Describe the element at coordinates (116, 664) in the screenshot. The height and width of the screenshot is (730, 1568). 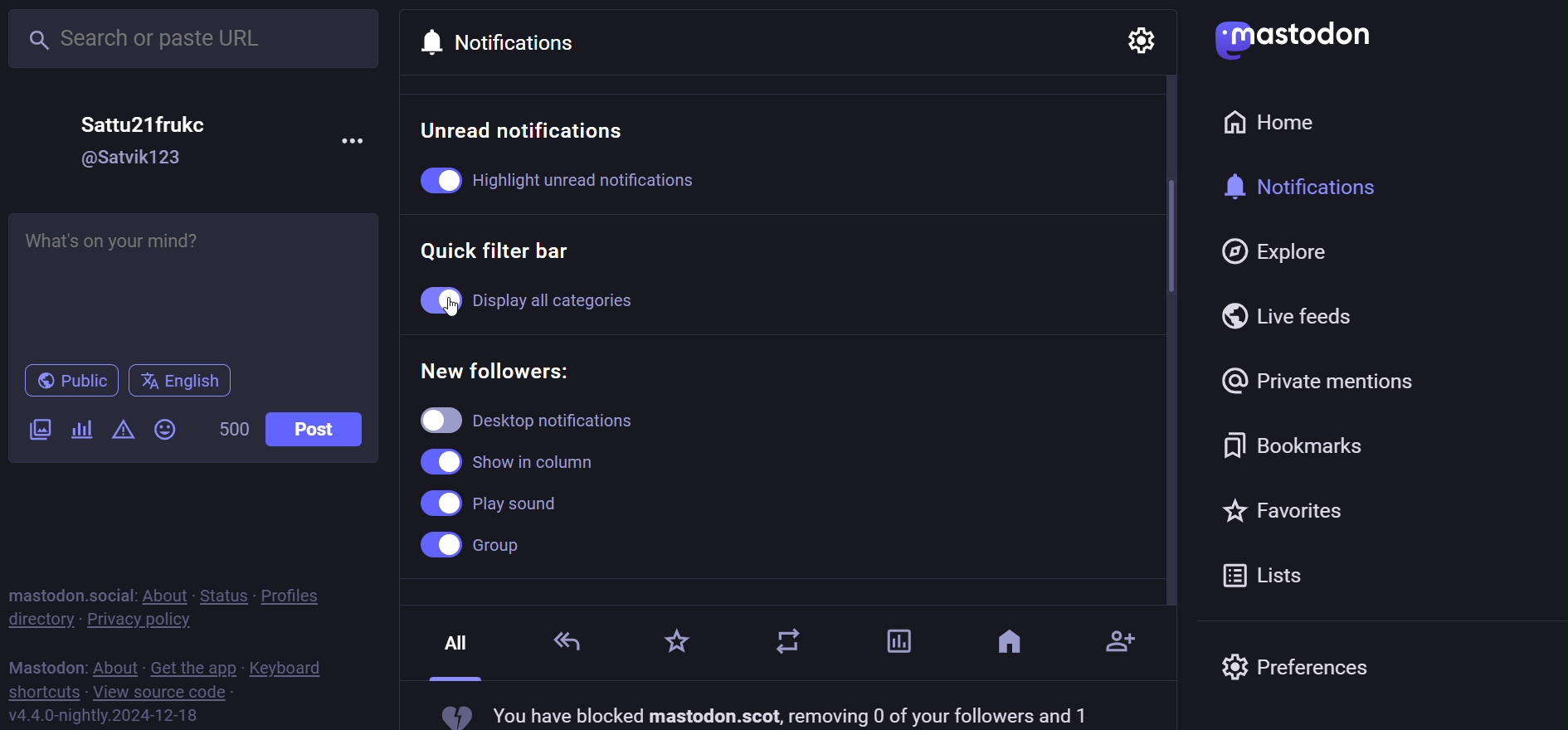
I see `about` at that location.